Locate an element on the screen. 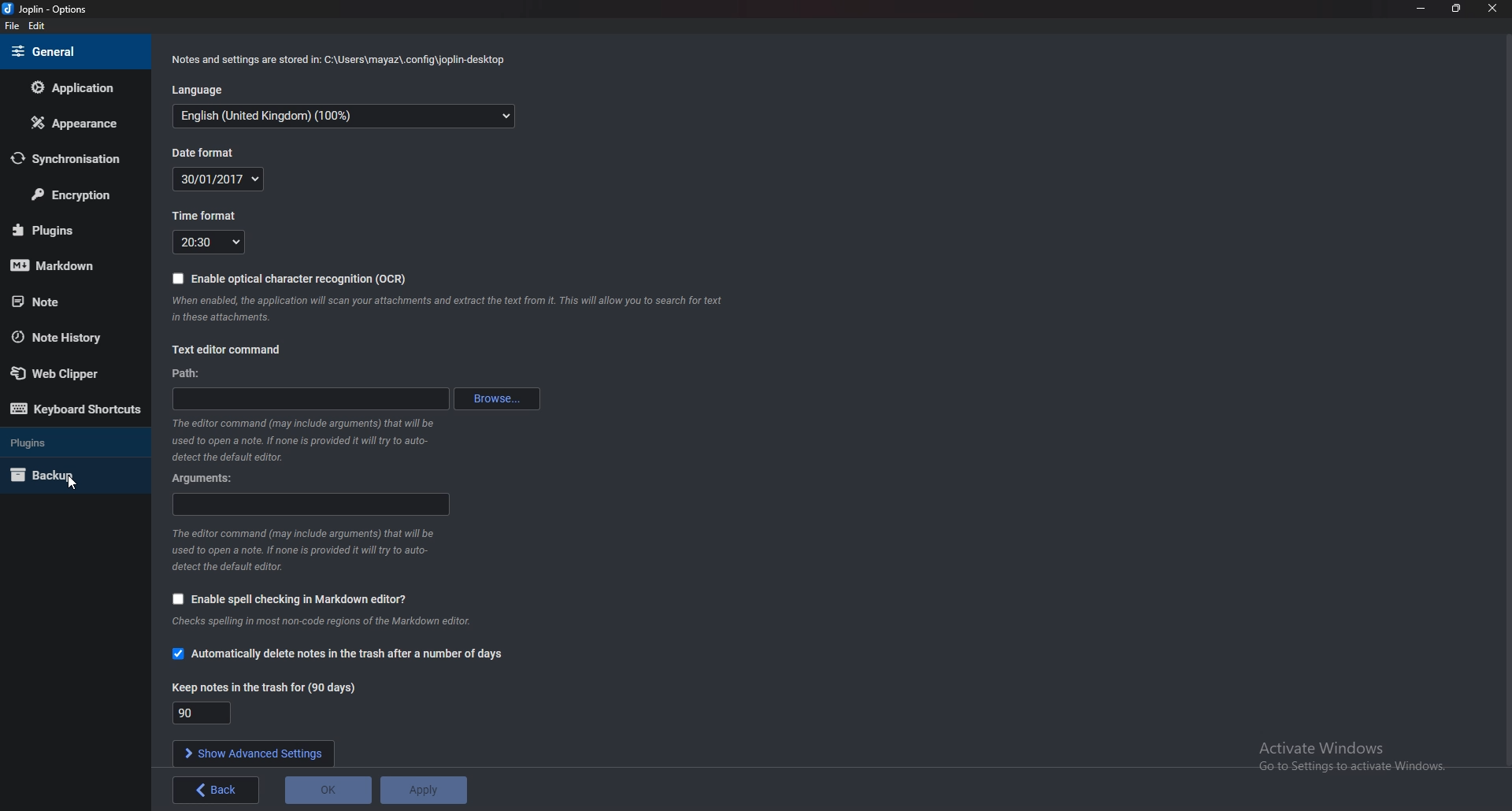  apply is located at coordinates (424, 790).